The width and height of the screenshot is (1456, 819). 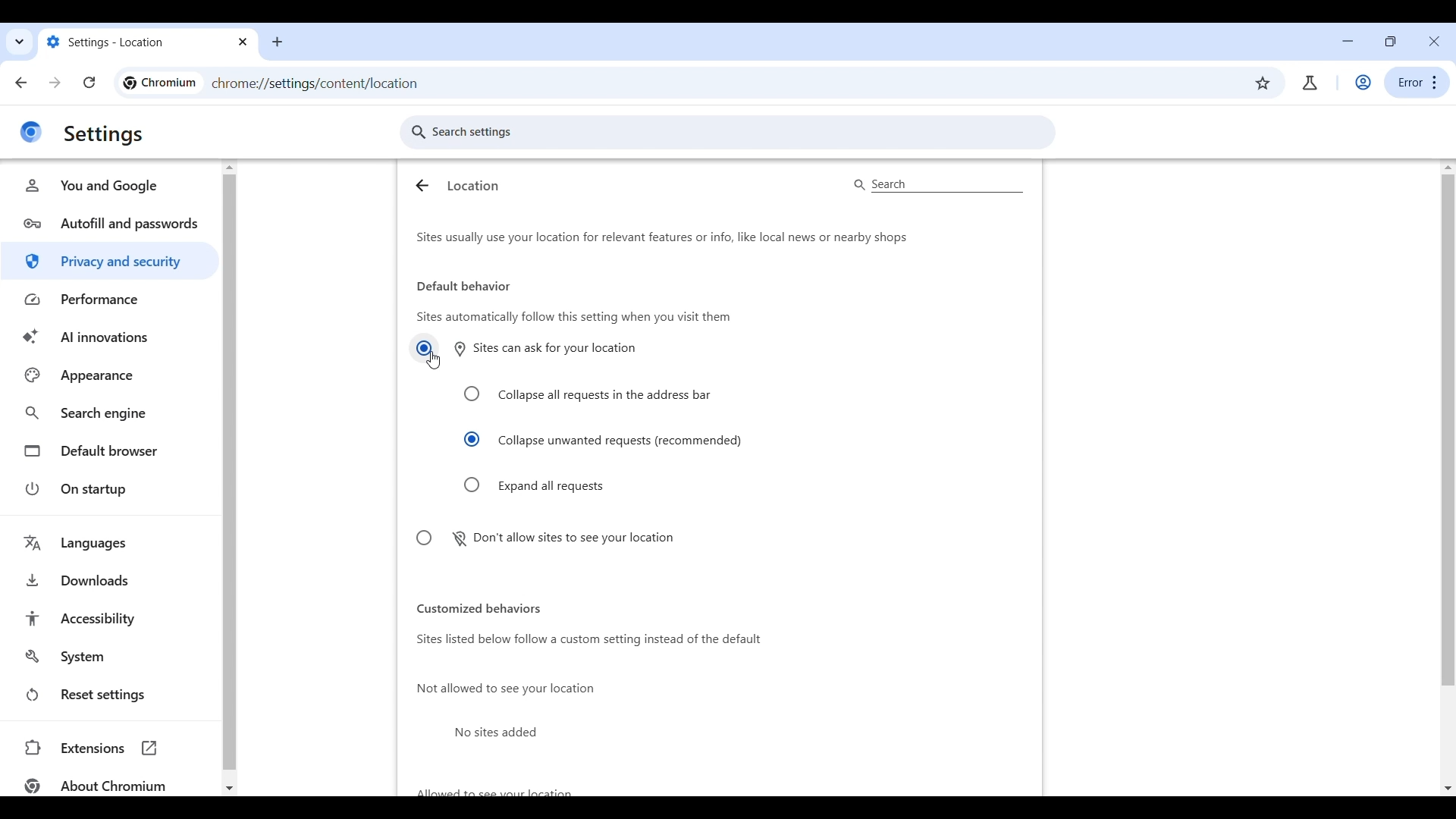 I want to click on Sites can ask for location button, so click(x=424, y=347).